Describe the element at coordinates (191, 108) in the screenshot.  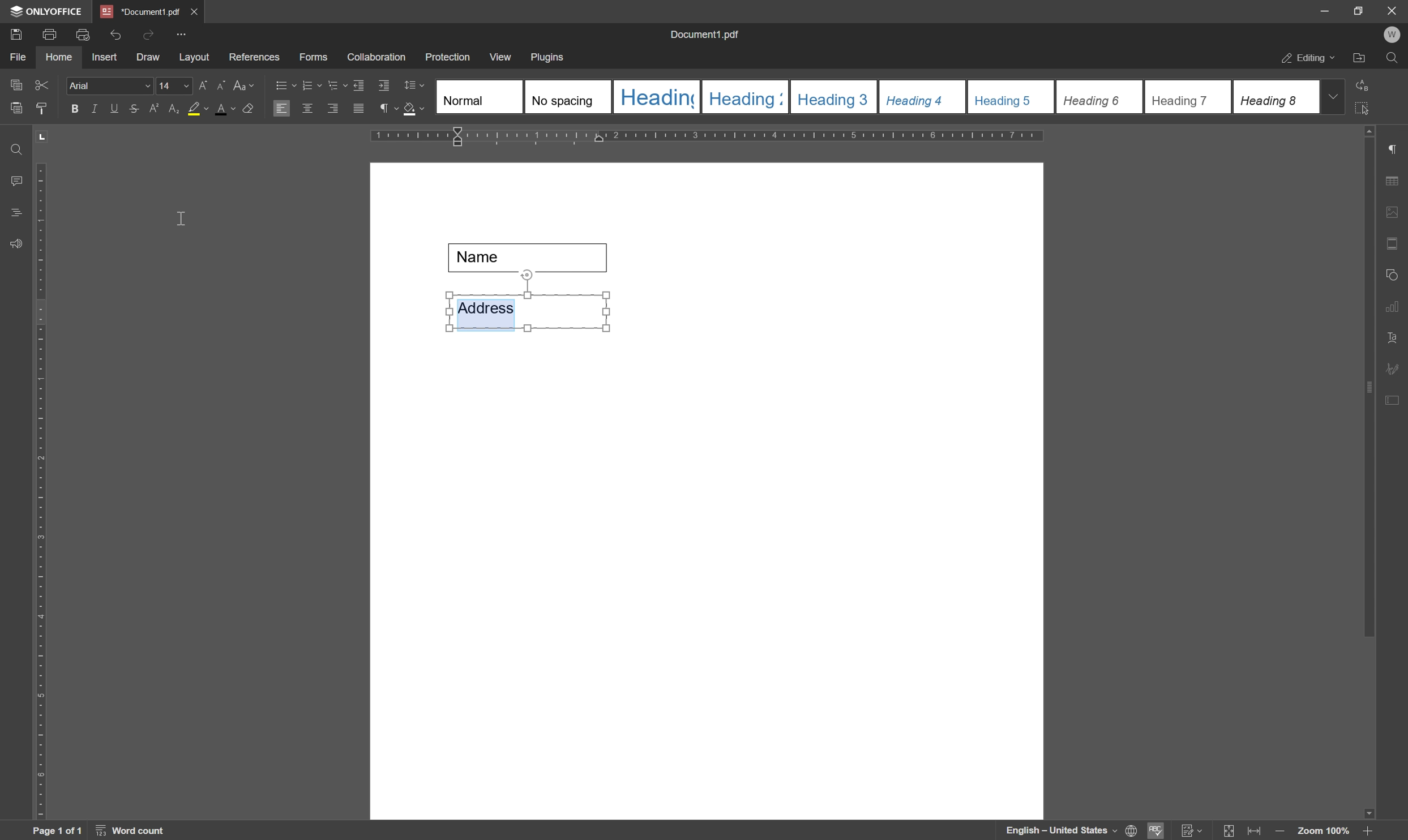
I see `highlight color` at that location.